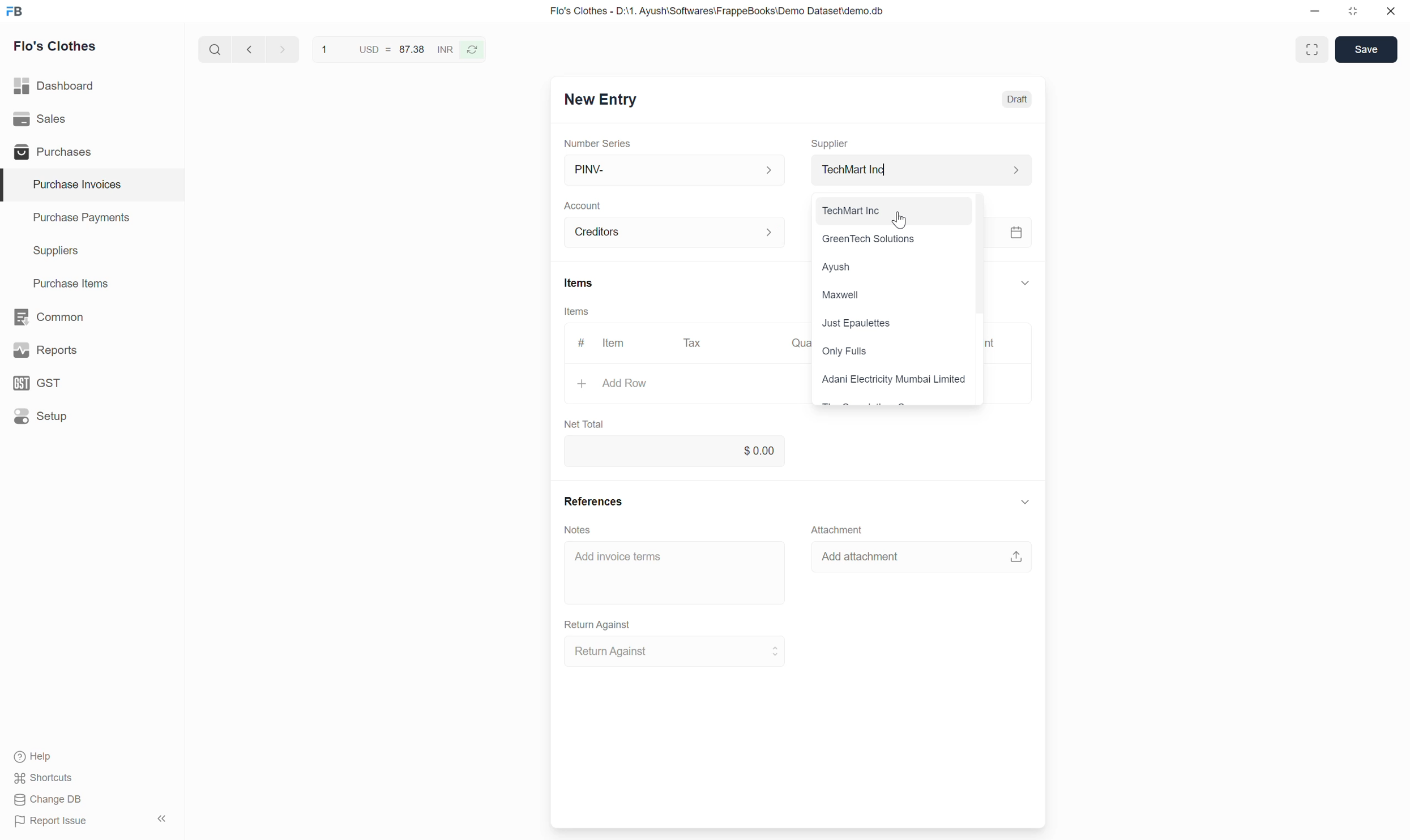 This screenshot has height=840, width=1410. Describe the element at coordinates (578, 283) in the screenshot. I see `Items` at that location.